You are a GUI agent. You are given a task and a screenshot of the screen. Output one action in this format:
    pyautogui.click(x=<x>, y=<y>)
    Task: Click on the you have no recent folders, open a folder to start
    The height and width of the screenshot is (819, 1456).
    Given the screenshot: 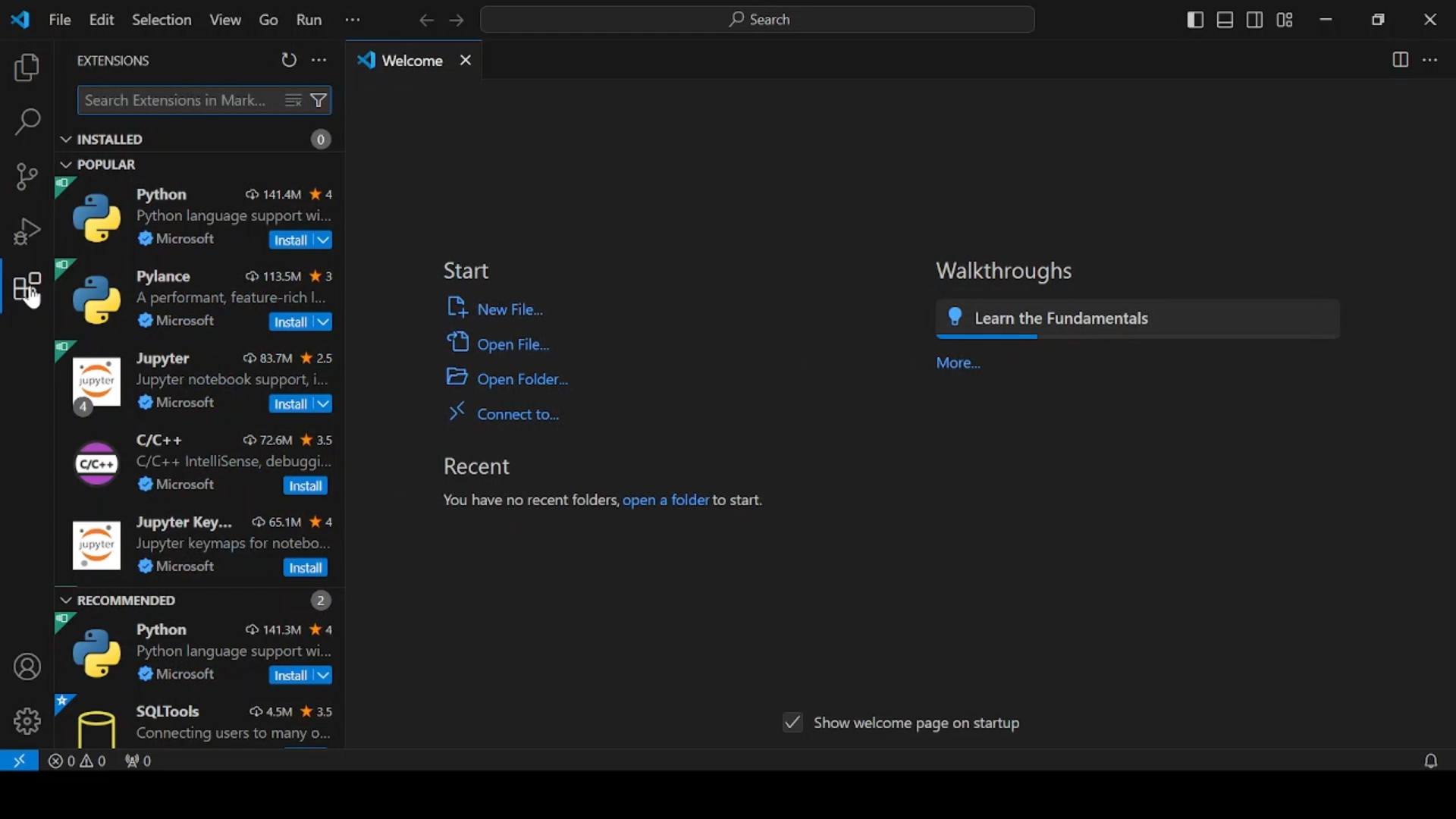 What is the action you would take?
    pyautogui.click(x=598, y=503)
    